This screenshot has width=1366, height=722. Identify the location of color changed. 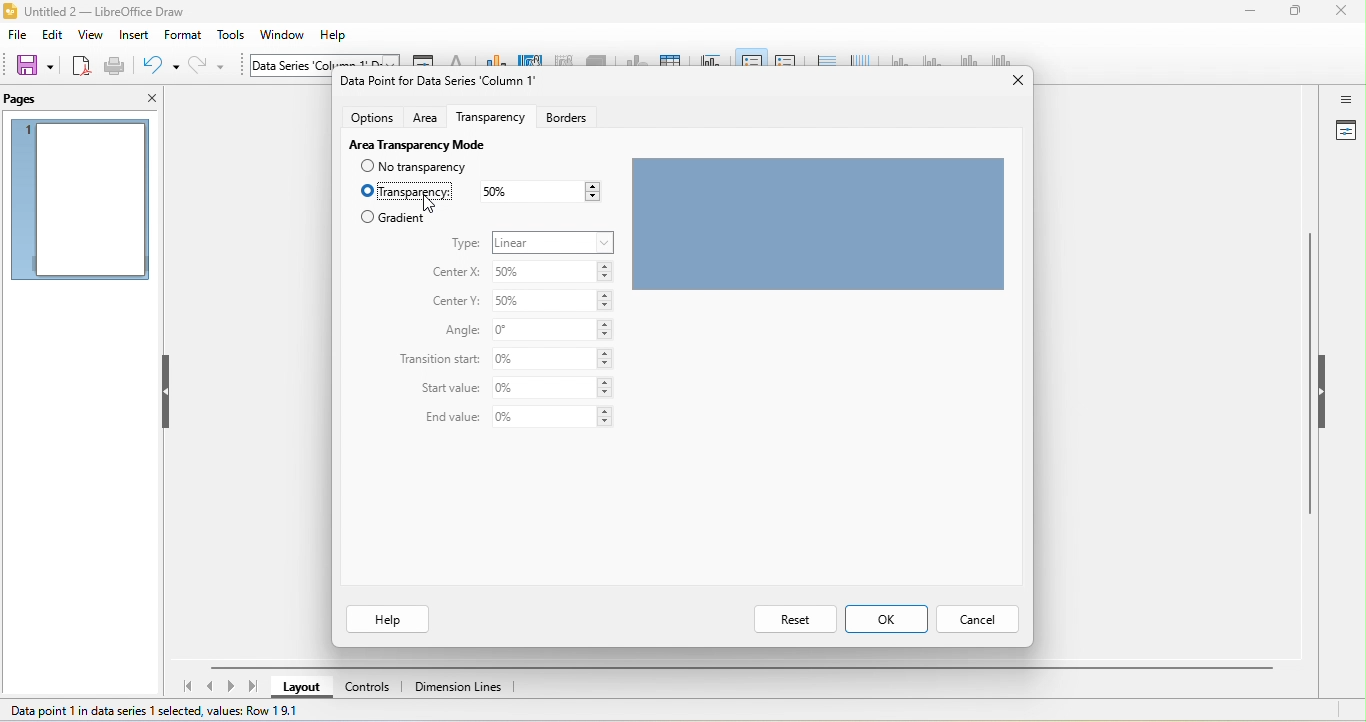
(819, 223).